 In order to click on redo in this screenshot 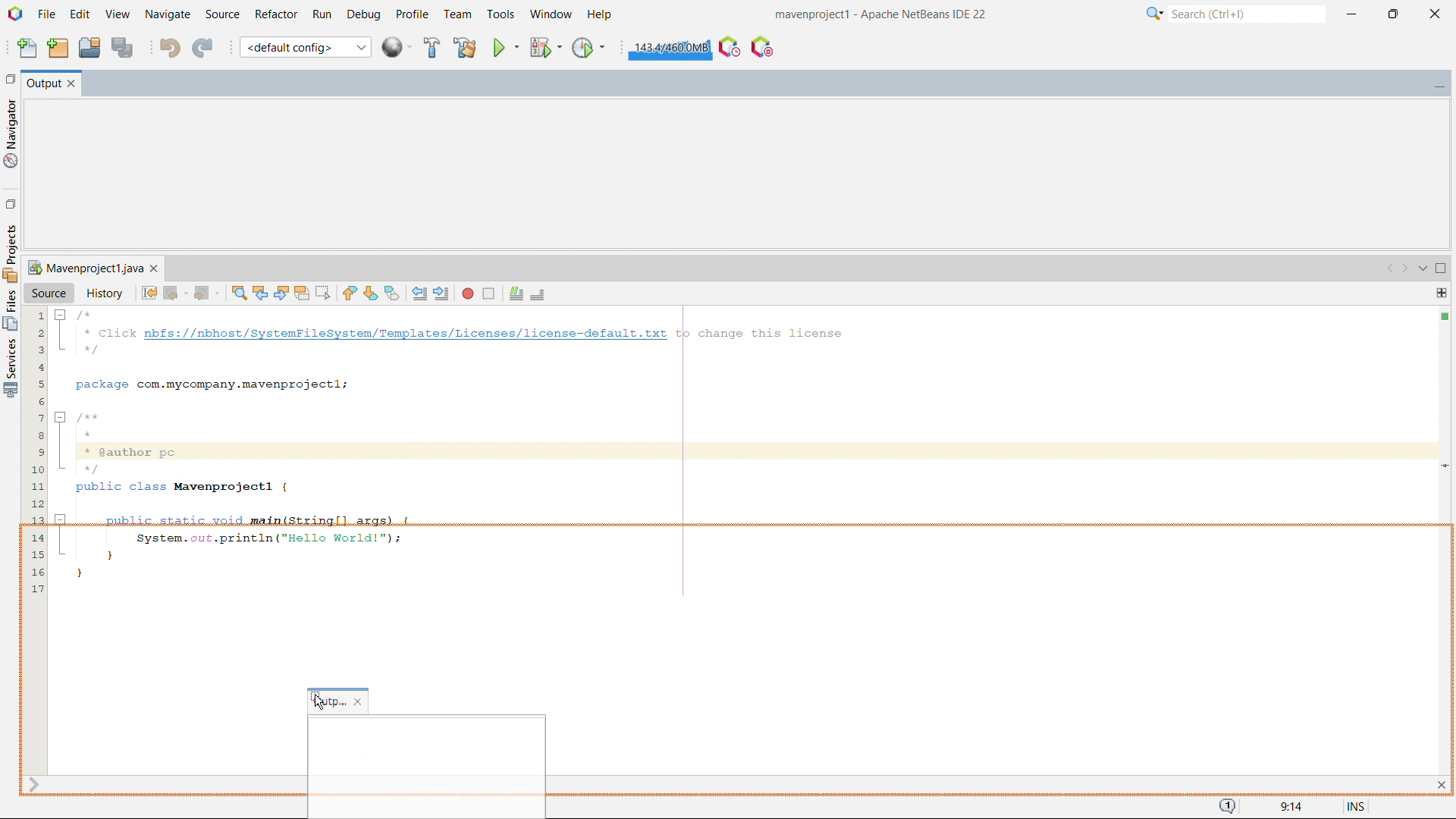, I will do `click(203, 45)`.